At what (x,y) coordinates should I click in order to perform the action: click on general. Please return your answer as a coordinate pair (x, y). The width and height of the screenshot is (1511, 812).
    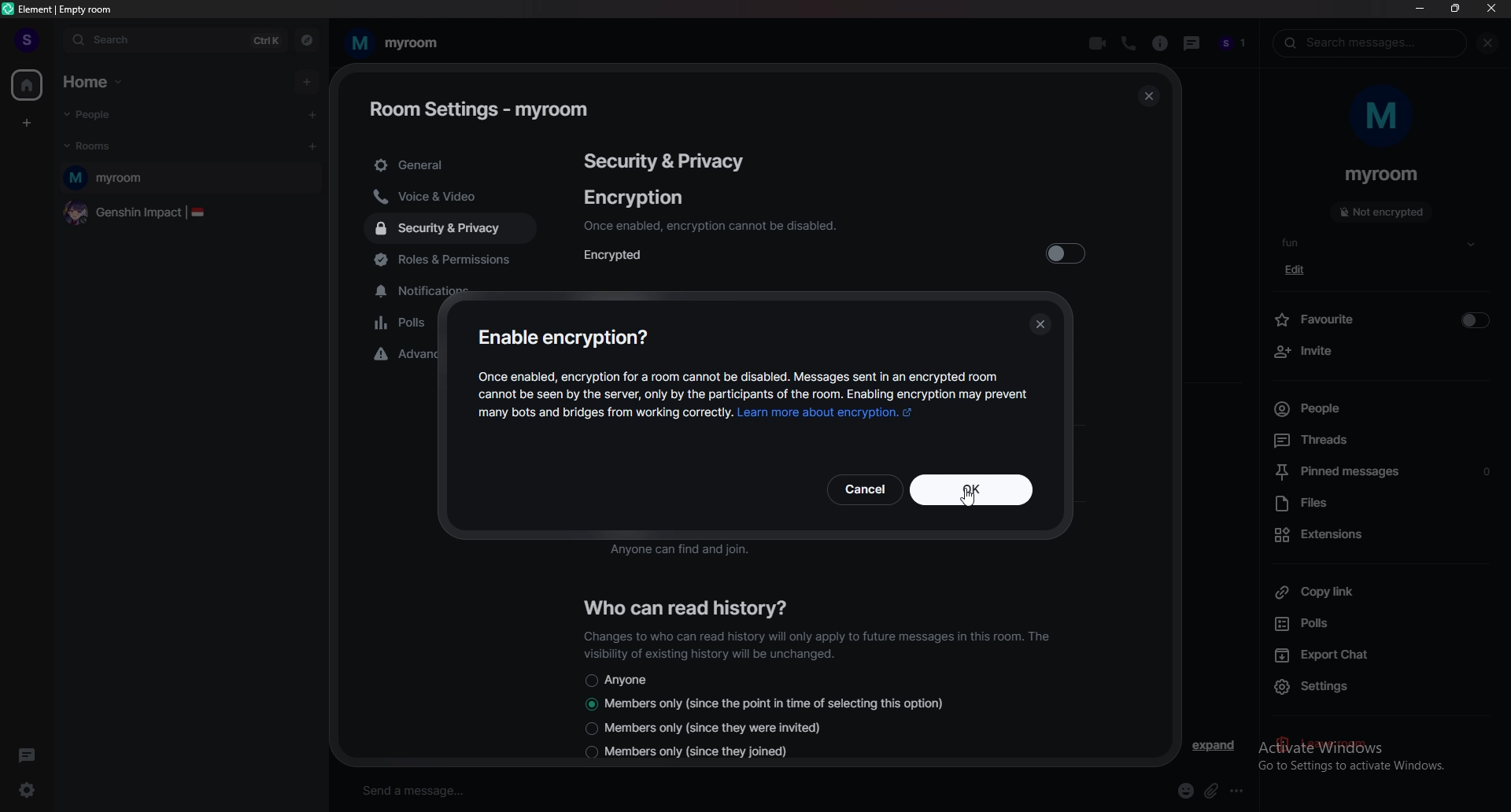
    Looking at the image, I should click on (451, 166).